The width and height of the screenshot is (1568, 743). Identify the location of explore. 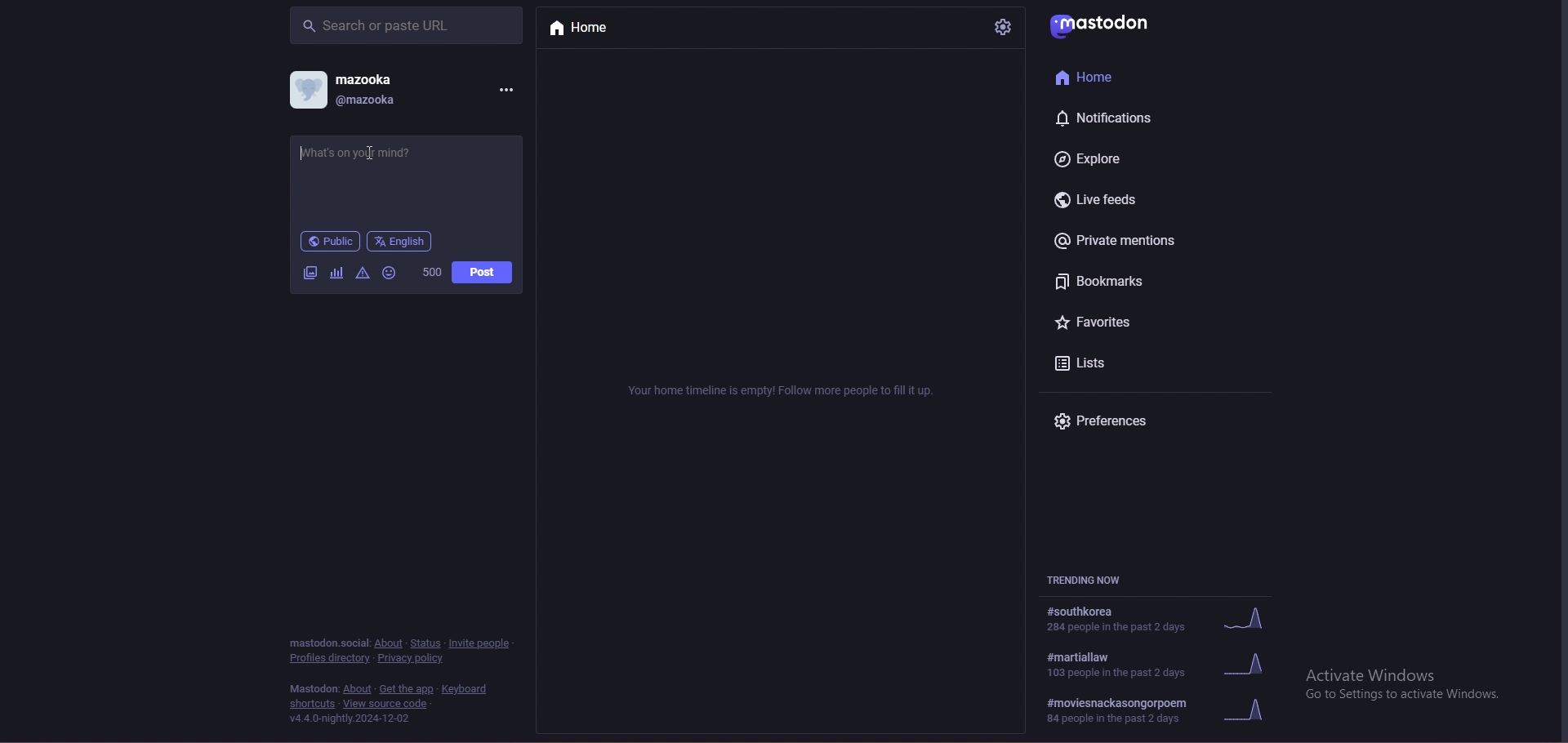
(1134, 159).